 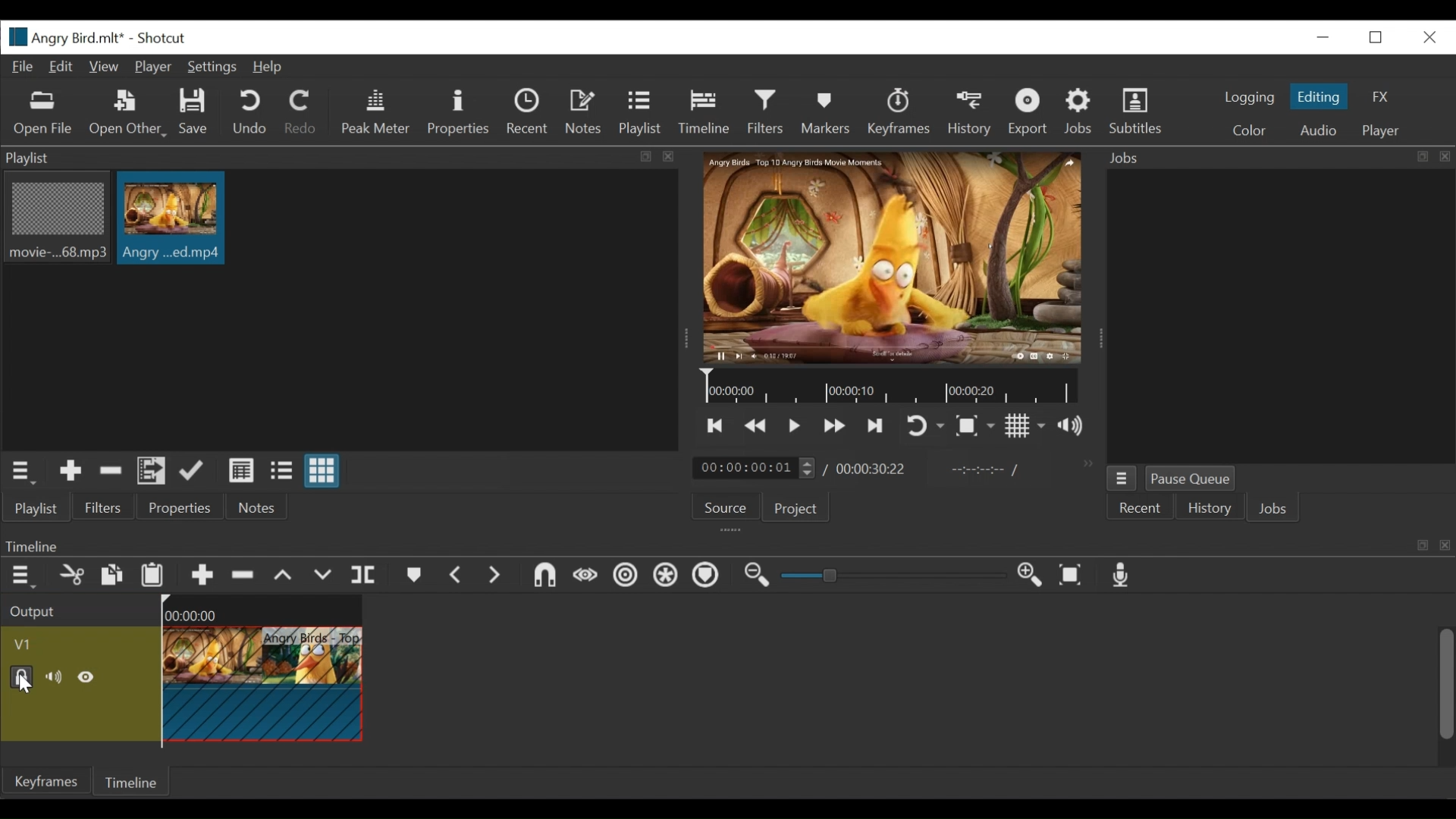 I want to click on logging, so click(x=1245, y=98).